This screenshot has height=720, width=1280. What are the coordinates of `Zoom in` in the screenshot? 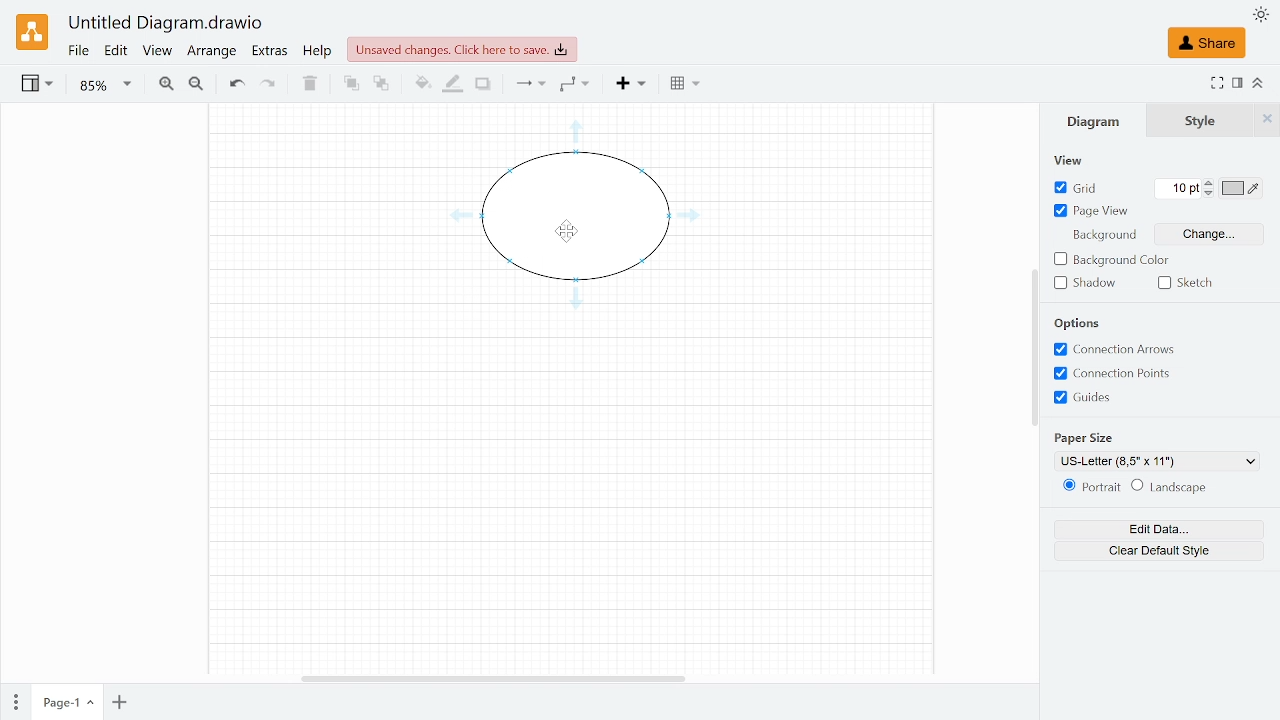 It's located at (165, 85).